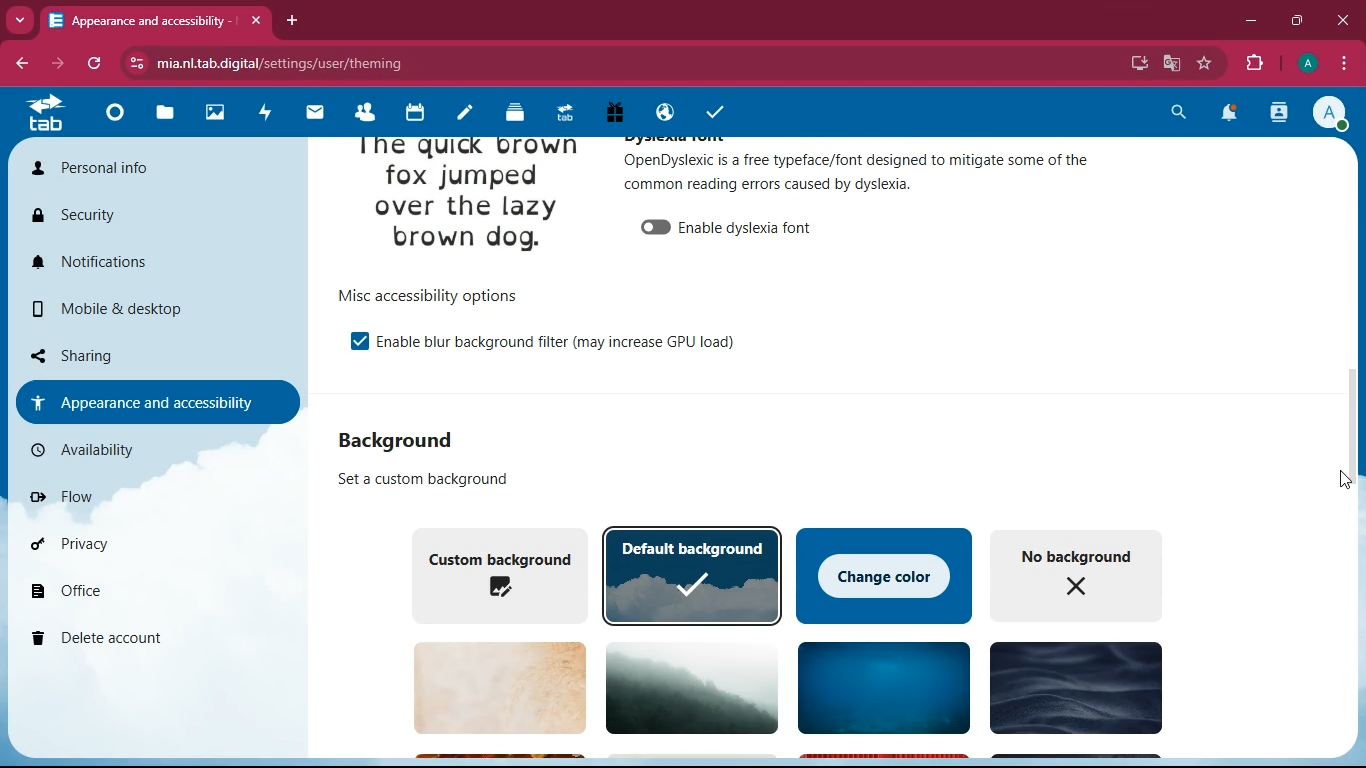  Describe the element at coordinates (143, 496) in the screenshot. I see `flow` at that location.